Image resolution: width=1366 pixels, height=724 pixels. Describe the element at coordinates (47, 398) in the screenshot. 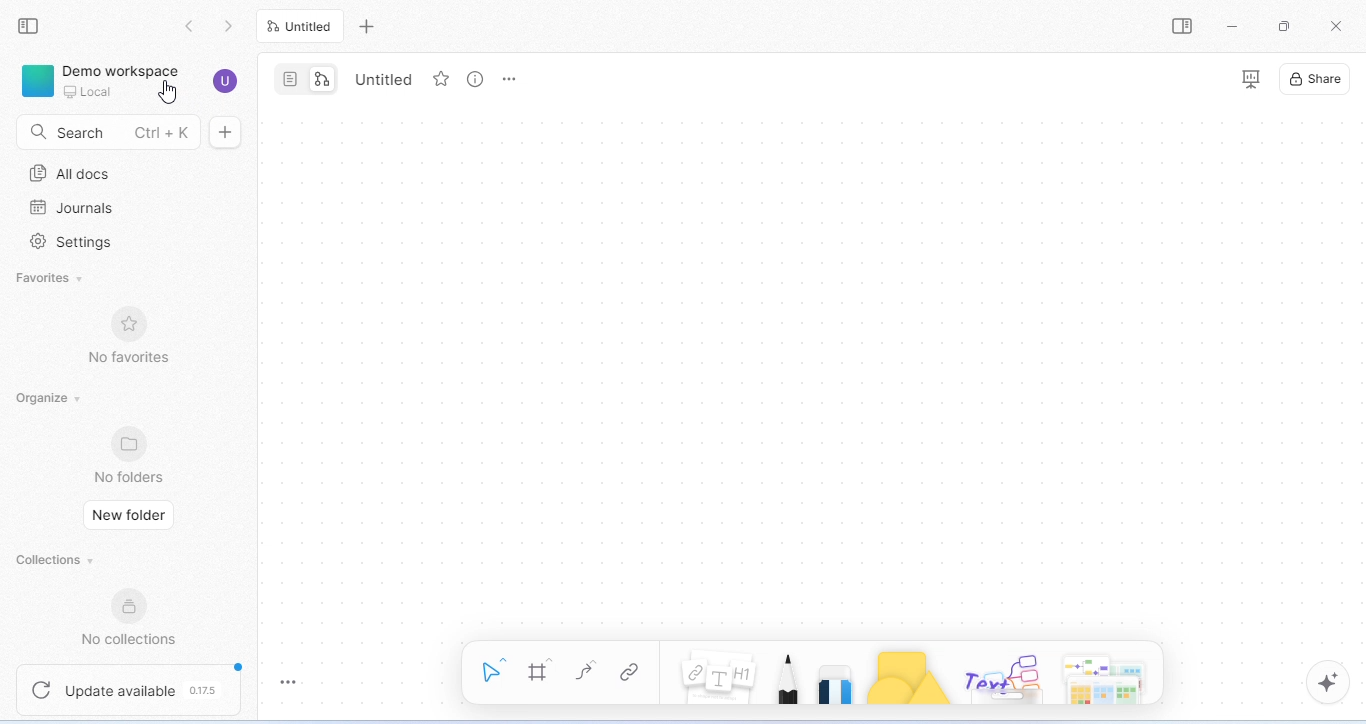

I see `organize` at that location.